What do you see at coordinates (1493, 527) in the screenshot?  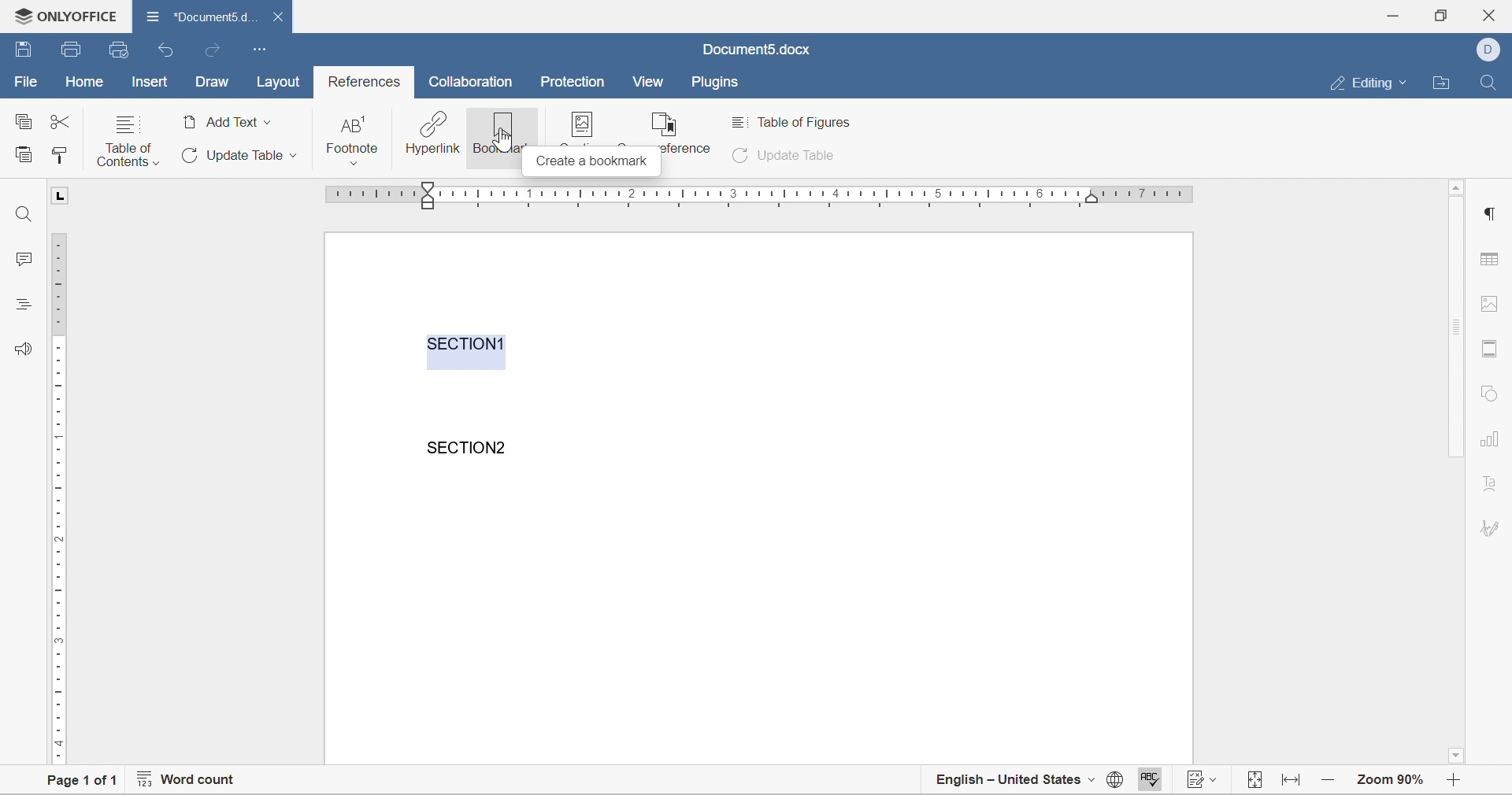 I see `signature settings` at bounding box center [1493, 527].